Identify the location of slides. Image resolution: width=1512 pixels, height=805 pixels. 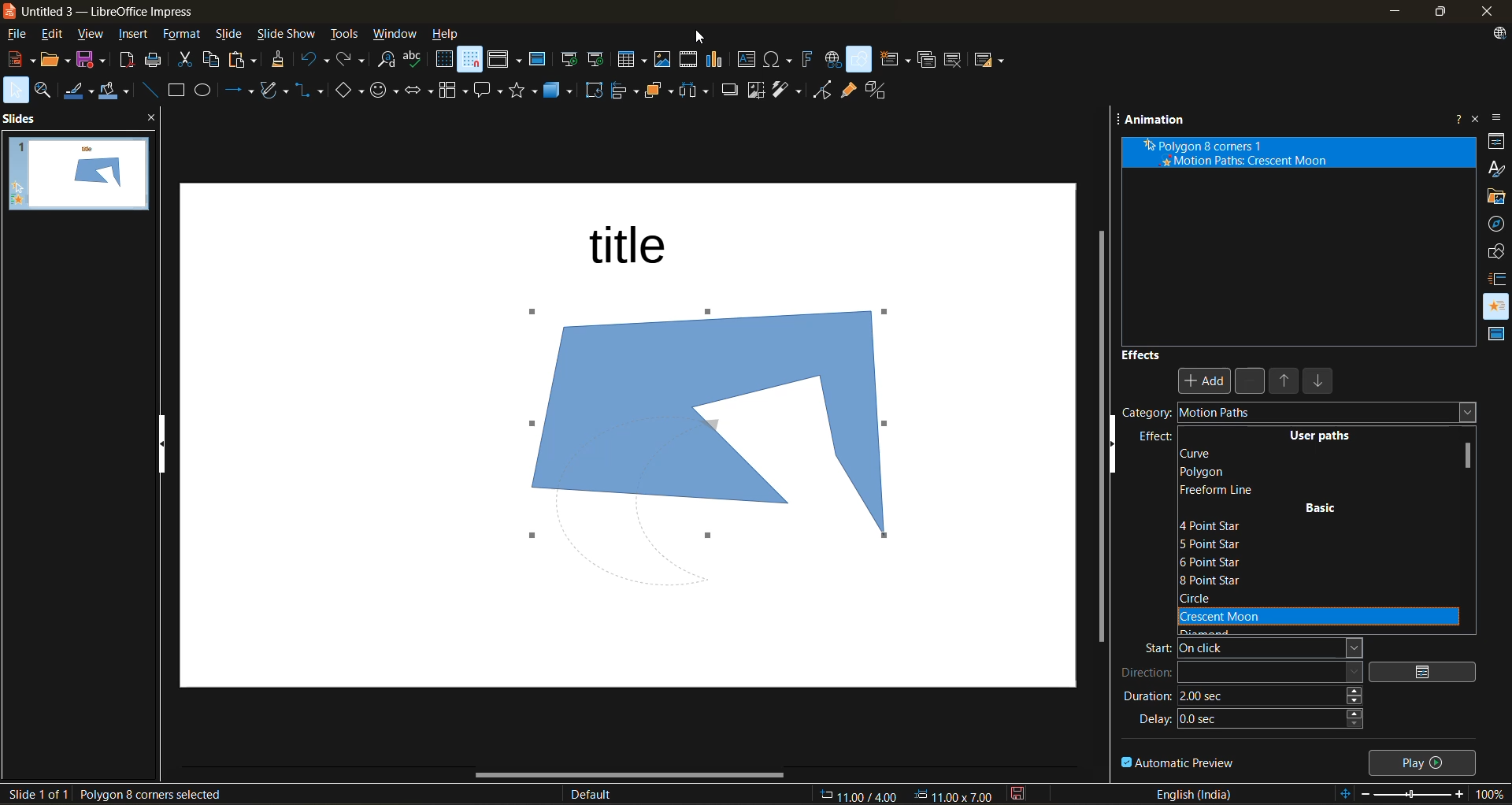
(24, 118).